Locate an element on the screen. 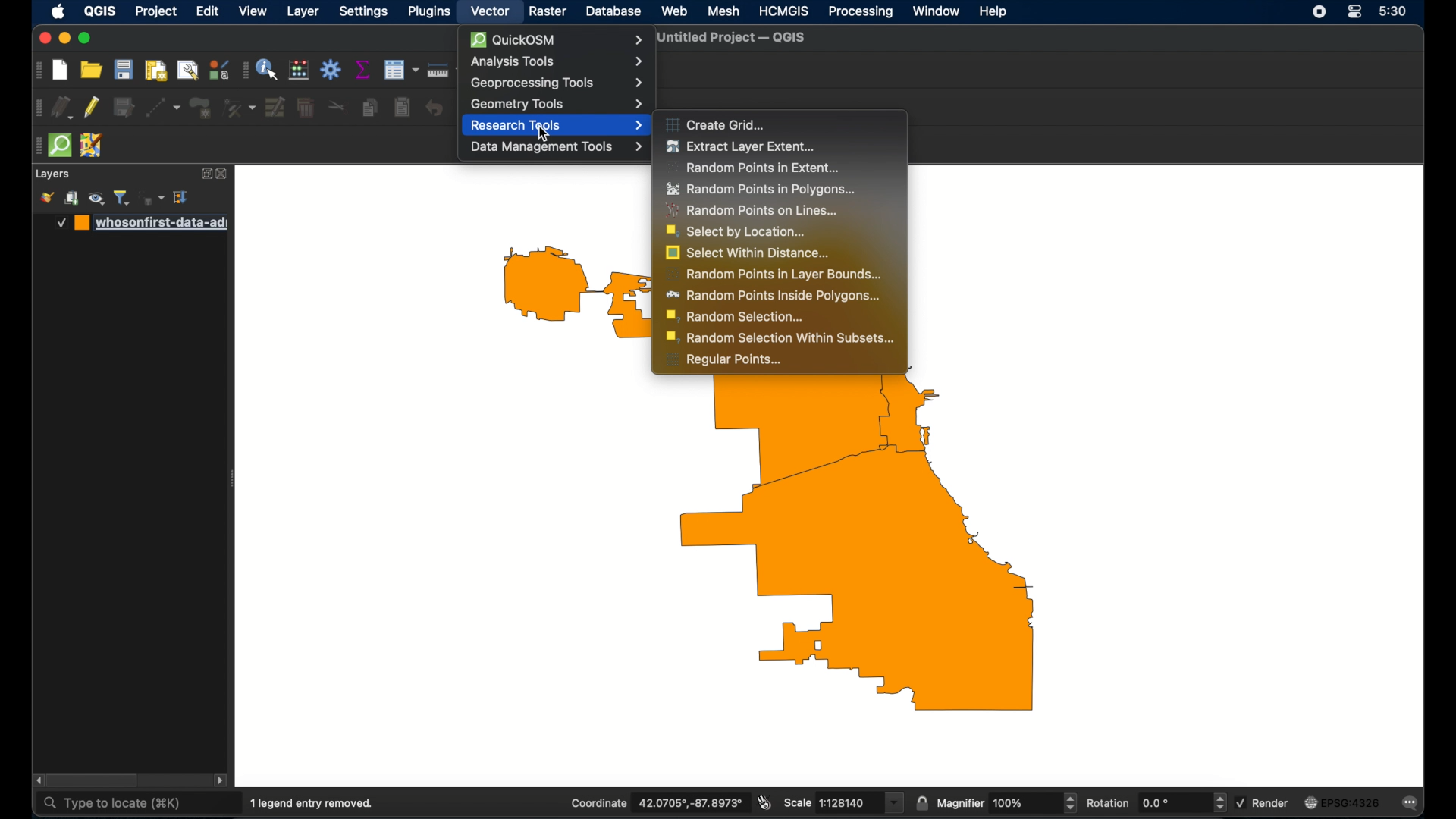 The width and height of the screenshot is (1456, 819). random selection is located at coordinates (736, 317).